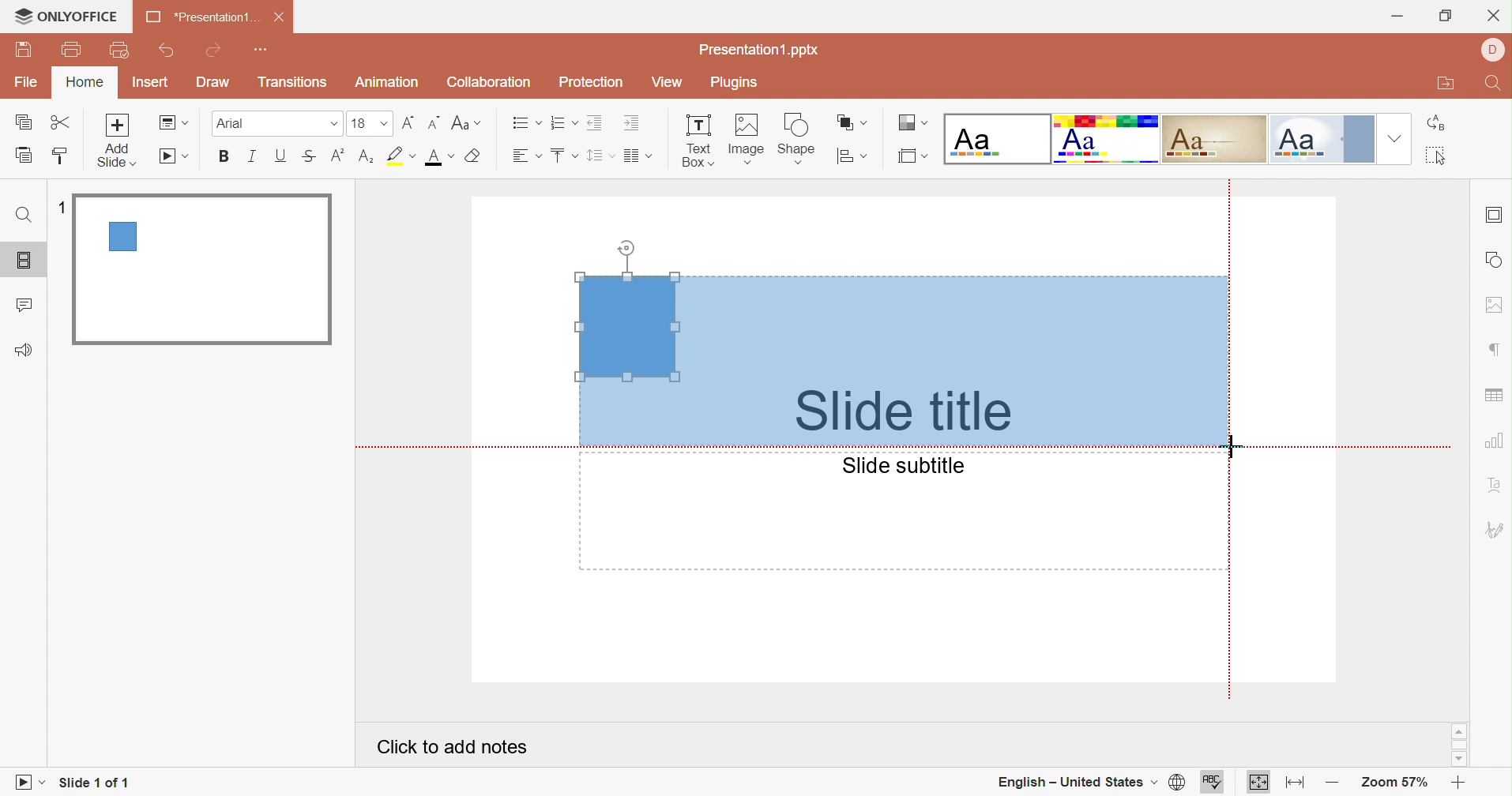 This screenshot has width=1512, height=796. What do you see at coordinates (1439, 157) in the screenshot?
I see `Select all` at bounding box center [1439, 157].